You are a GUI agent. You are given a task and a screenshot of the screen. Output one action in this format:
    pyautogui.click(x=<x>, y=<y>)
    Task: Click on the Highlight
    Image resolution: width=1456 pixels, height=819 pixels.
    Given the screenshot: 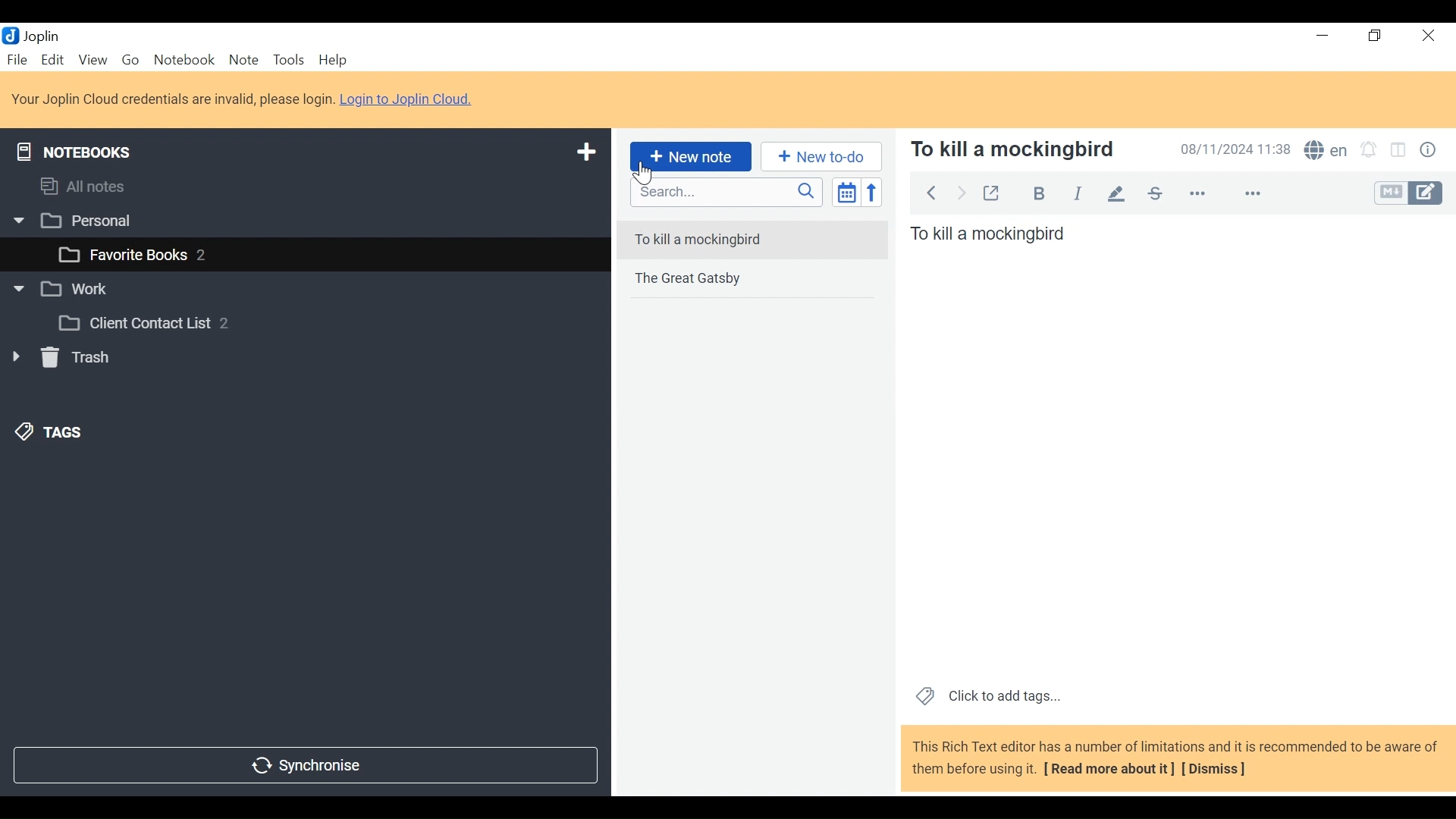 What is the action you would take?
    pyautogui.click(x=1116, y=194)
    